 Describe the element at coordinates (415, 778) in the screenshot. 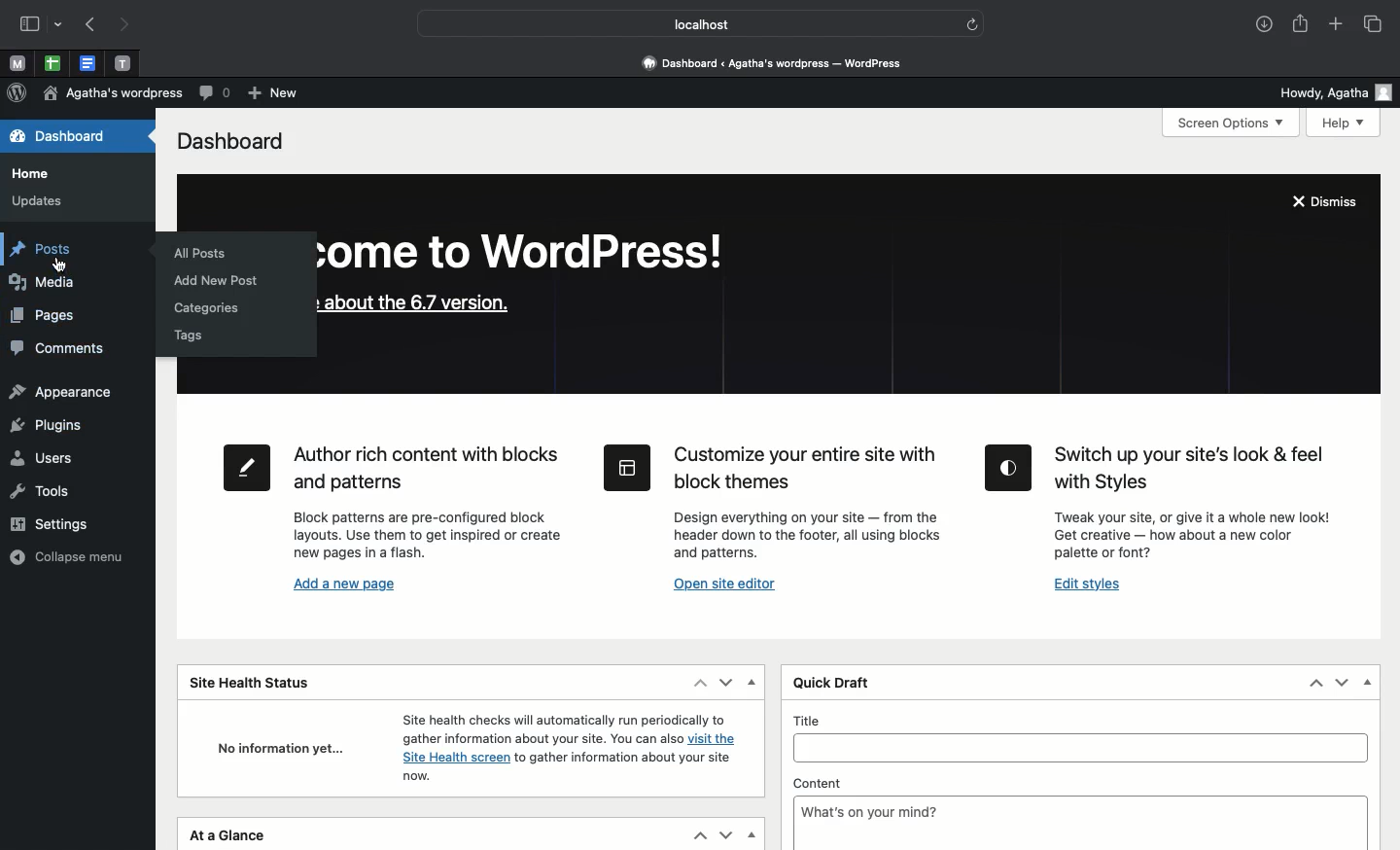

I see `` at that location.